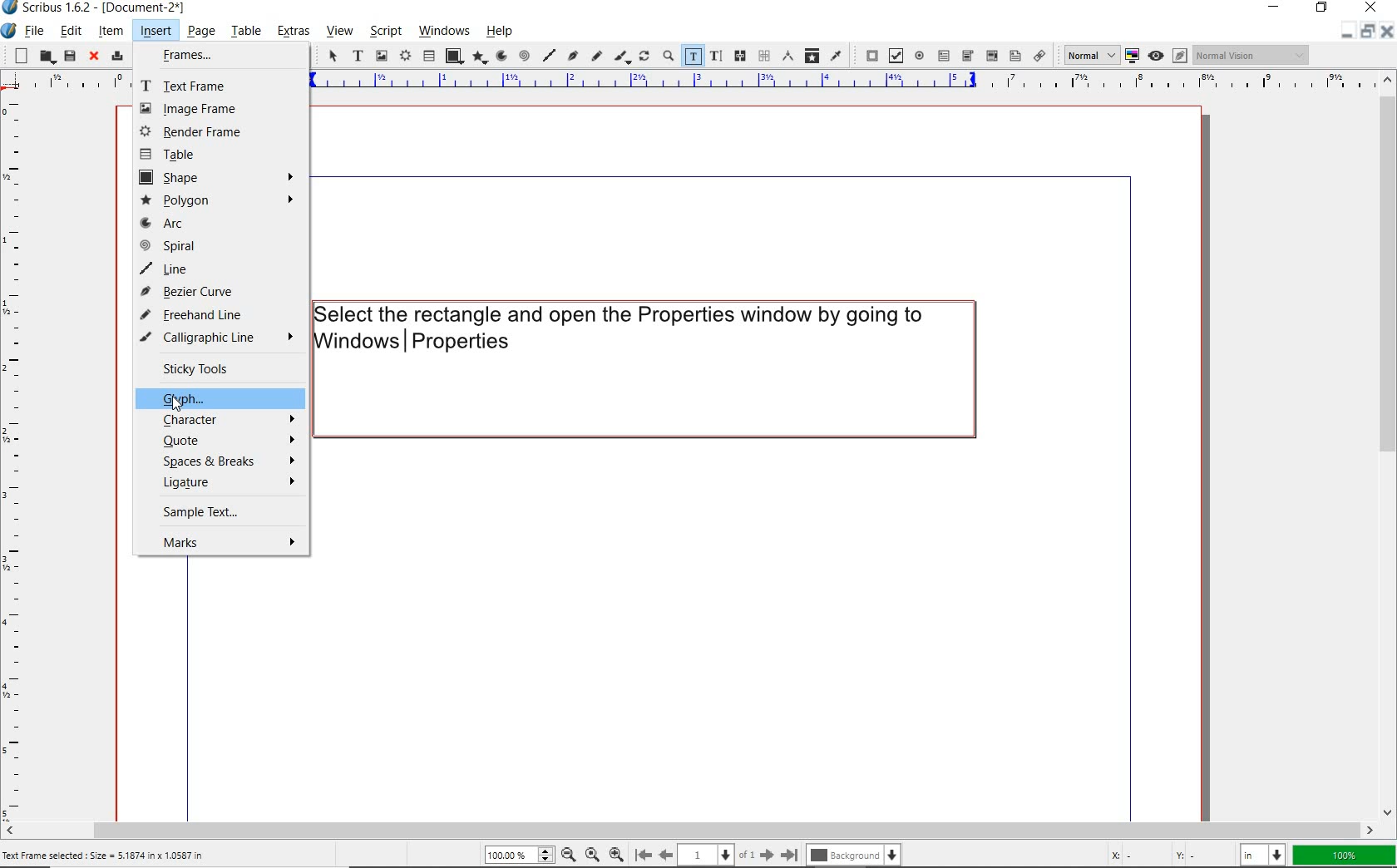 Image resolution: width=1397 pixels, height=868 pixels. I want to click on unlink text frames, so click(763, 56).